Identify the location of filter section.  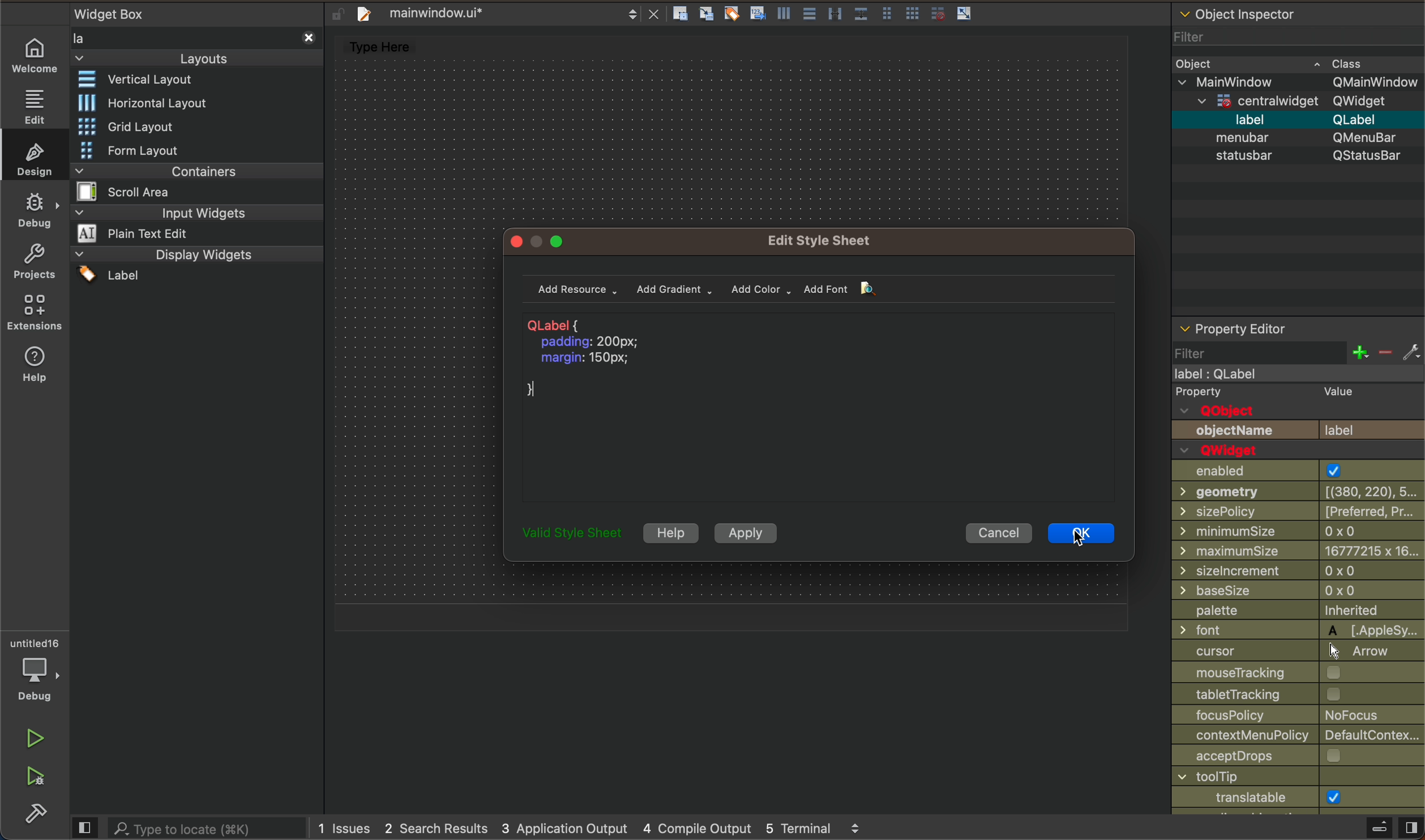
(1295, 361).